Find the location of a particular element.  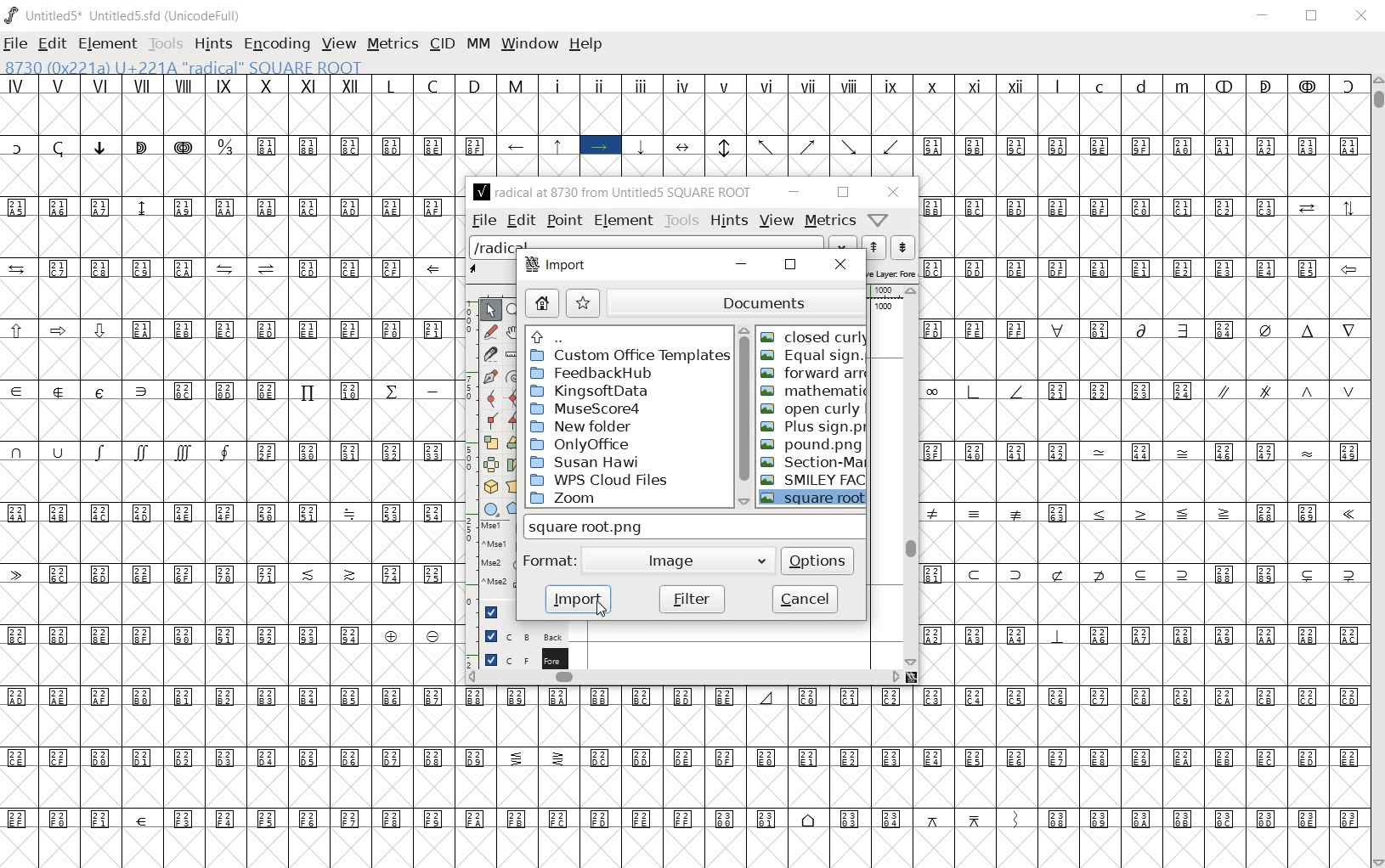

home is located at coordinates (540, 304).